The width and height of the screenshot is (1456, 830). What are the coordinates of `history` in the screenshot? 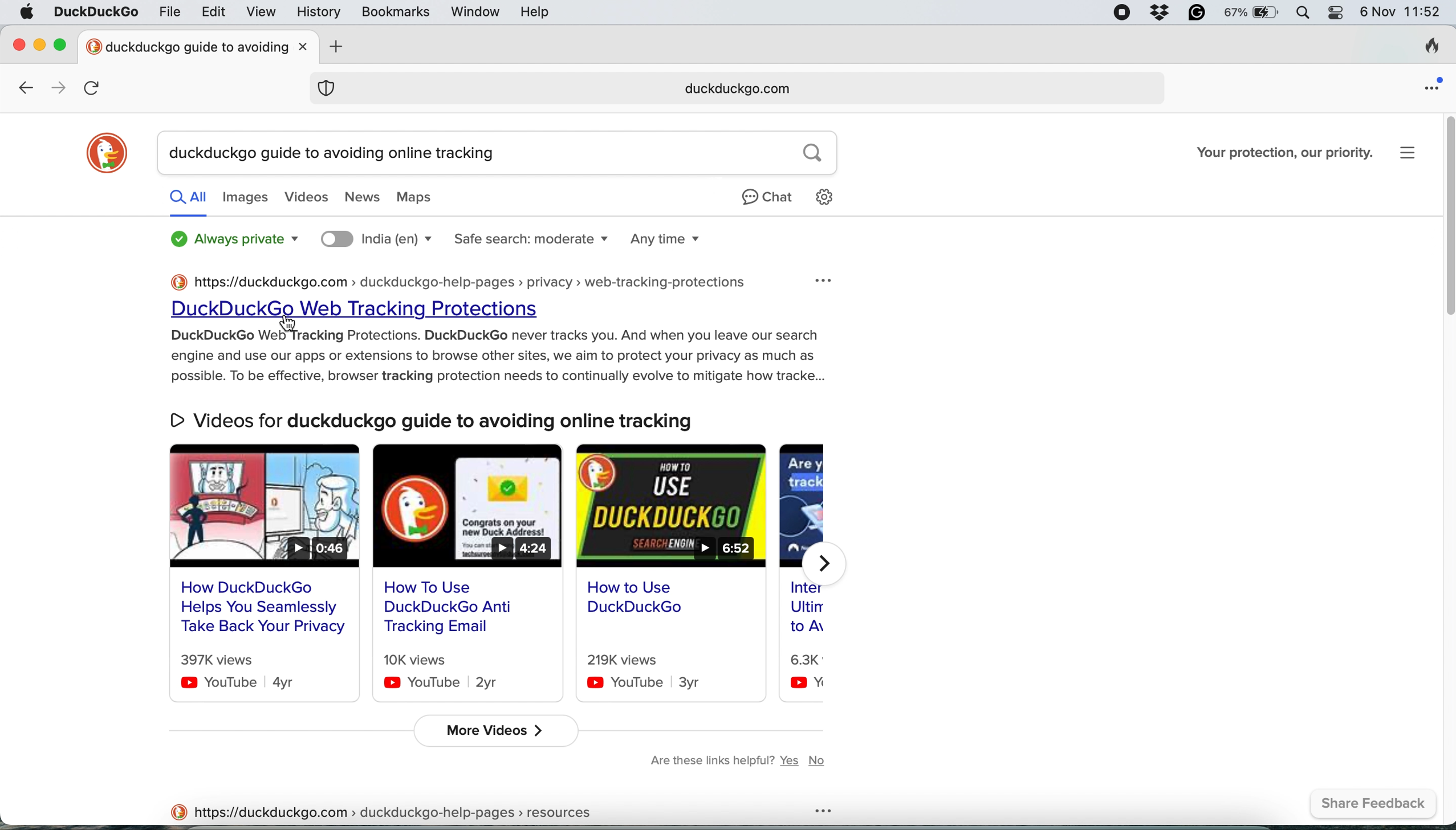 It's located at (317, 12).